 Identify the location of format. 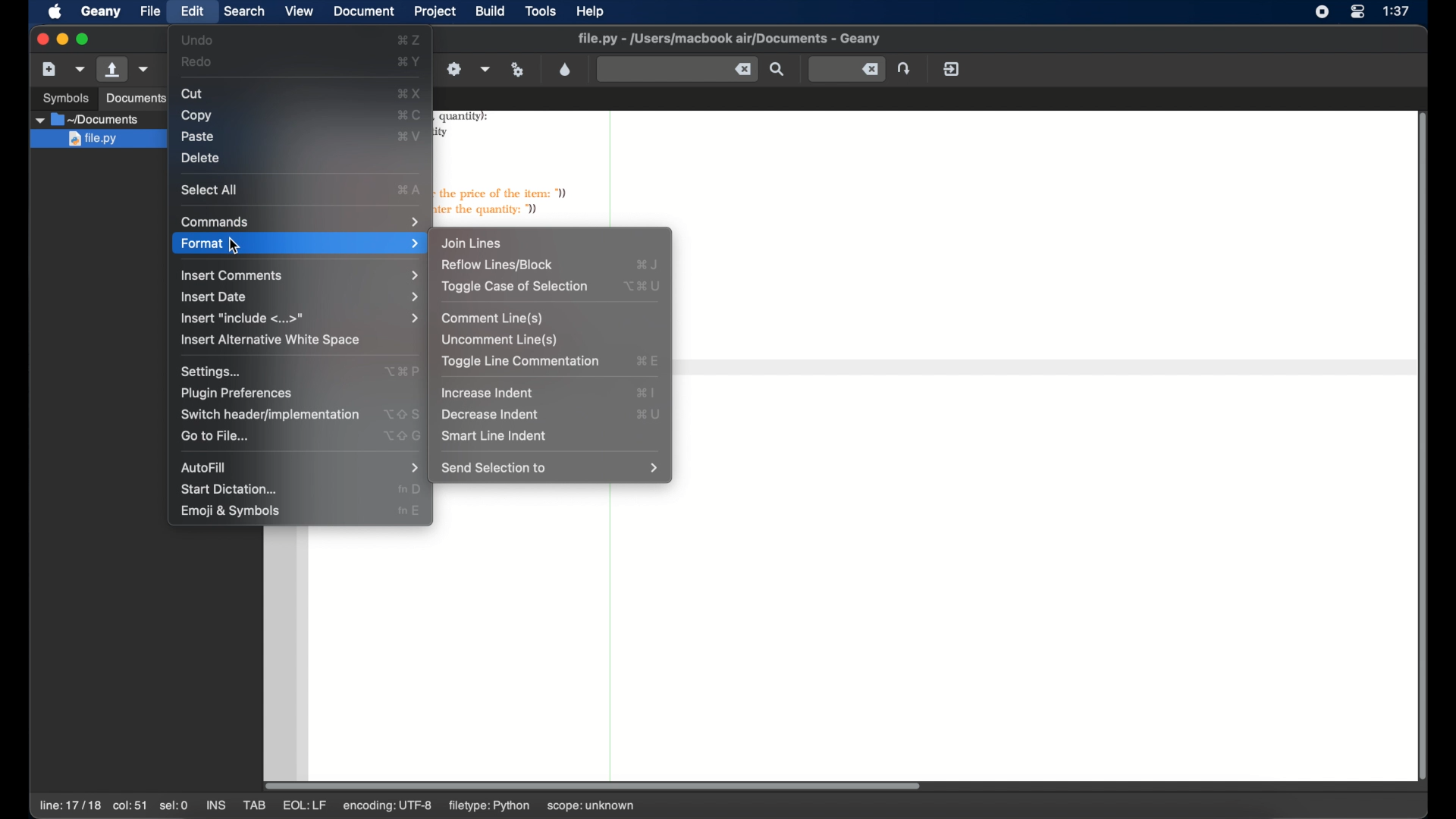
(297, 243).